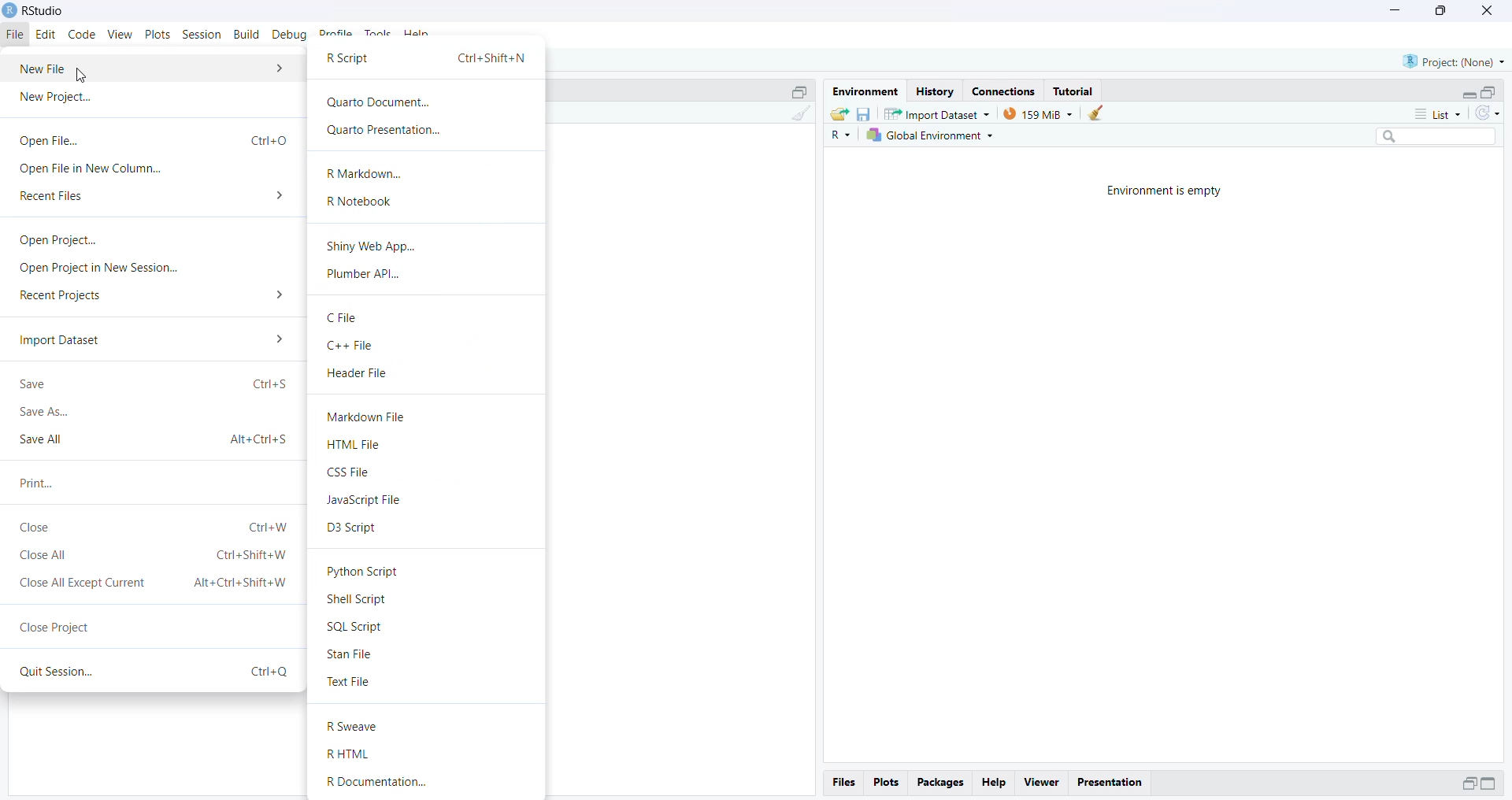 This screenshot has height=800, width=1512. Describe the element at coordinates (80, 74) in the screenshot. I see `cursor` at that location.